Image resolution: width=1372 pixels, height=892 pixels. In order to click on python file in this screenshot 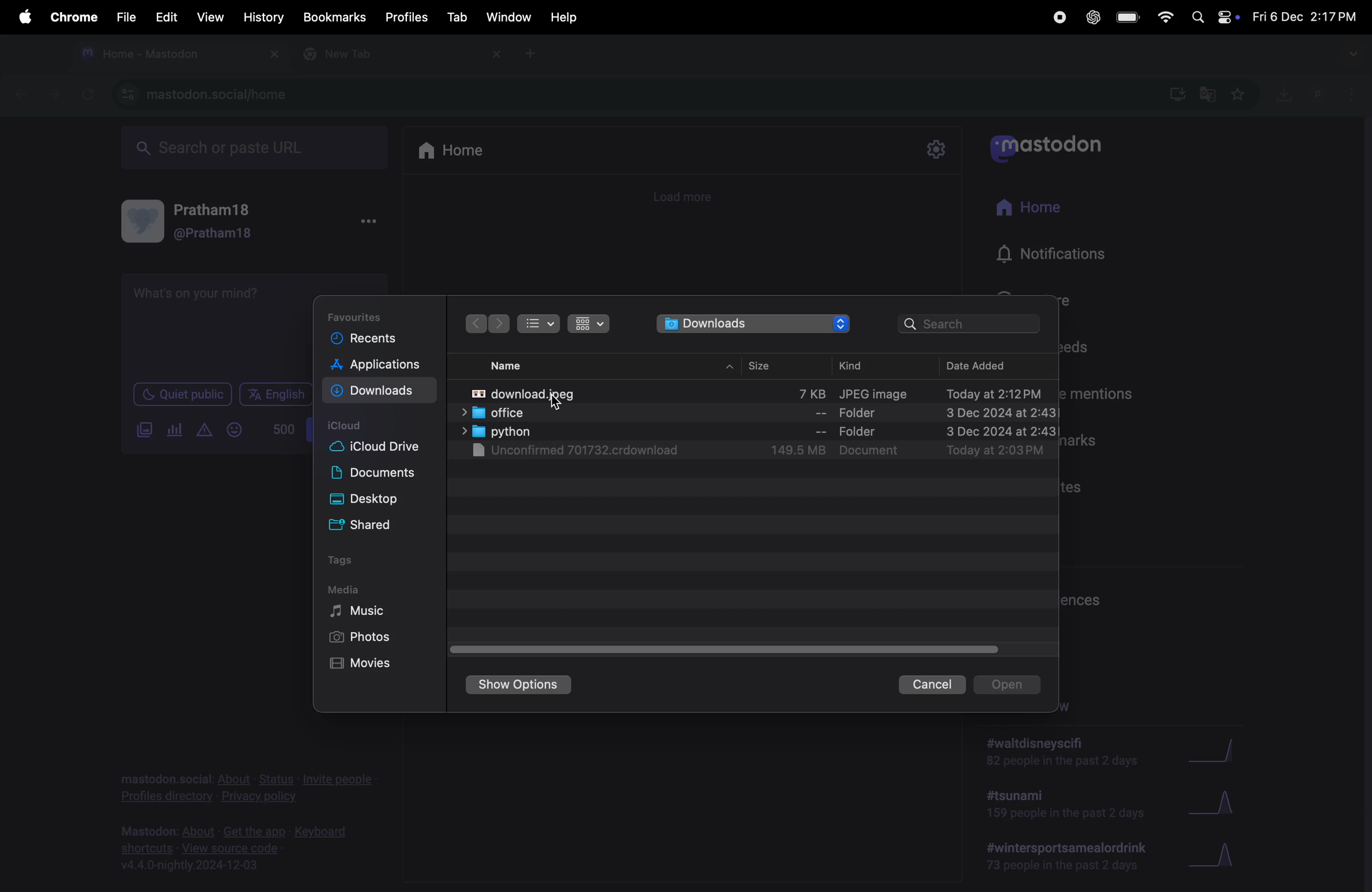, I will do `click(752, 432)`.